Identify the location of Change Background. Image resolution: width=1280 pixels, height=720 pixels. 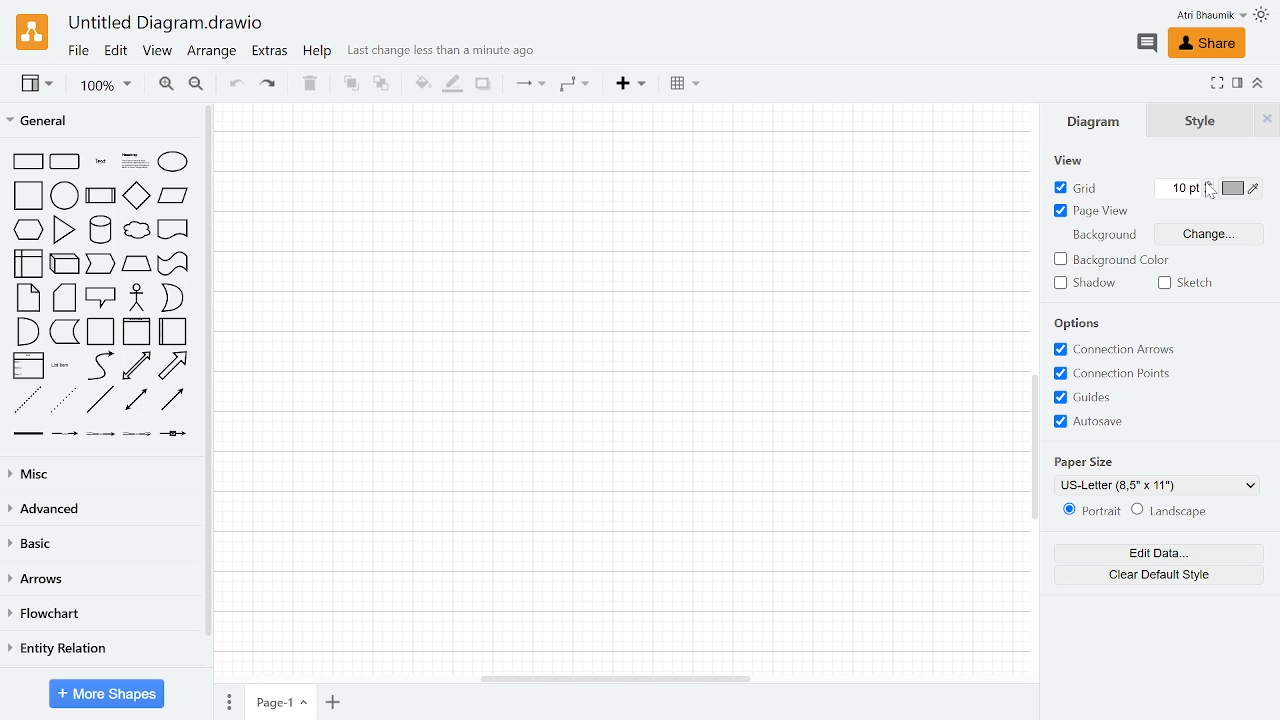
(1208, 236).